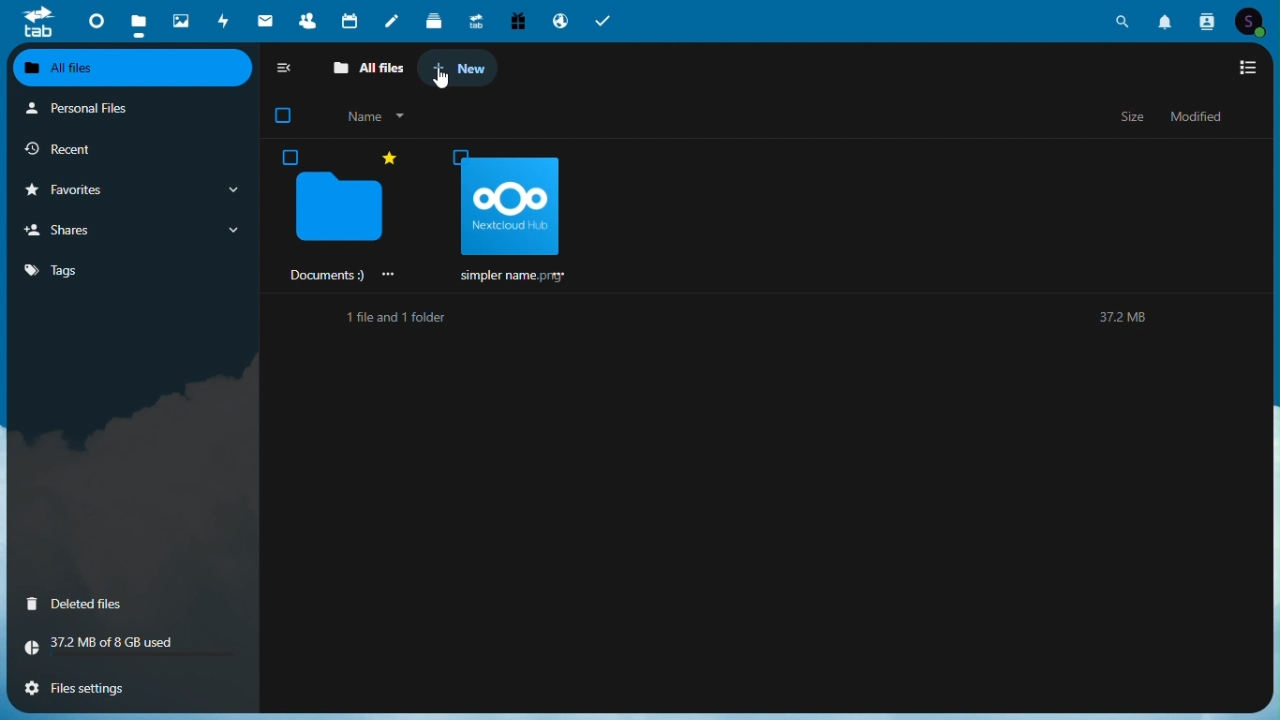 The width and height of the screenshot is (1280, 720). What do you see at coordinates (504, 216) in the screenshot?
I see `simpler name. prey` at bounding box center [504, 216].